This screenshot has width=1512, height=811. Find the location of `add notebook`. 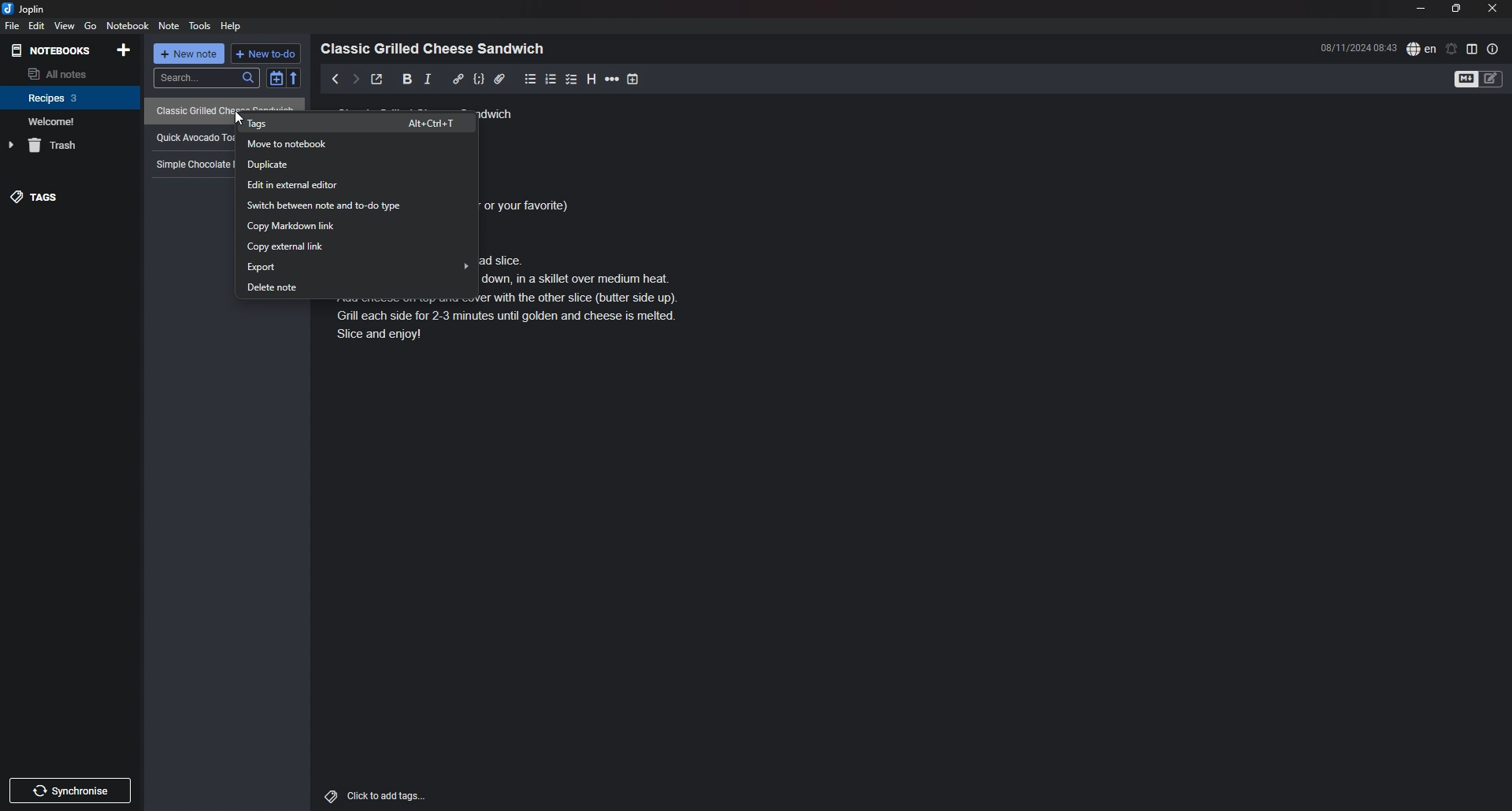

add notebook is located at coordinates (125, 49).